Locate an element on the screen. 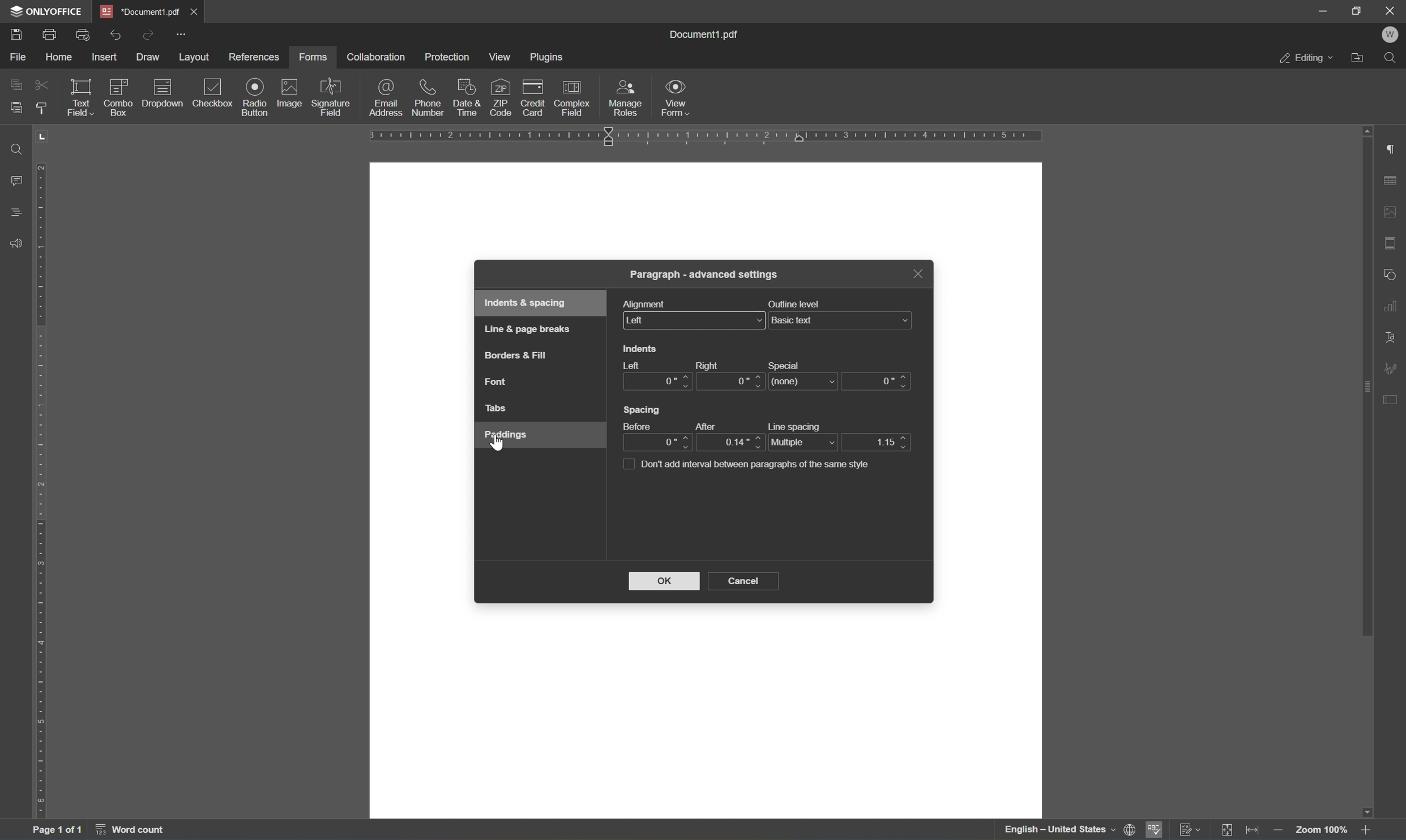  save is located at coordinates (21, 34).